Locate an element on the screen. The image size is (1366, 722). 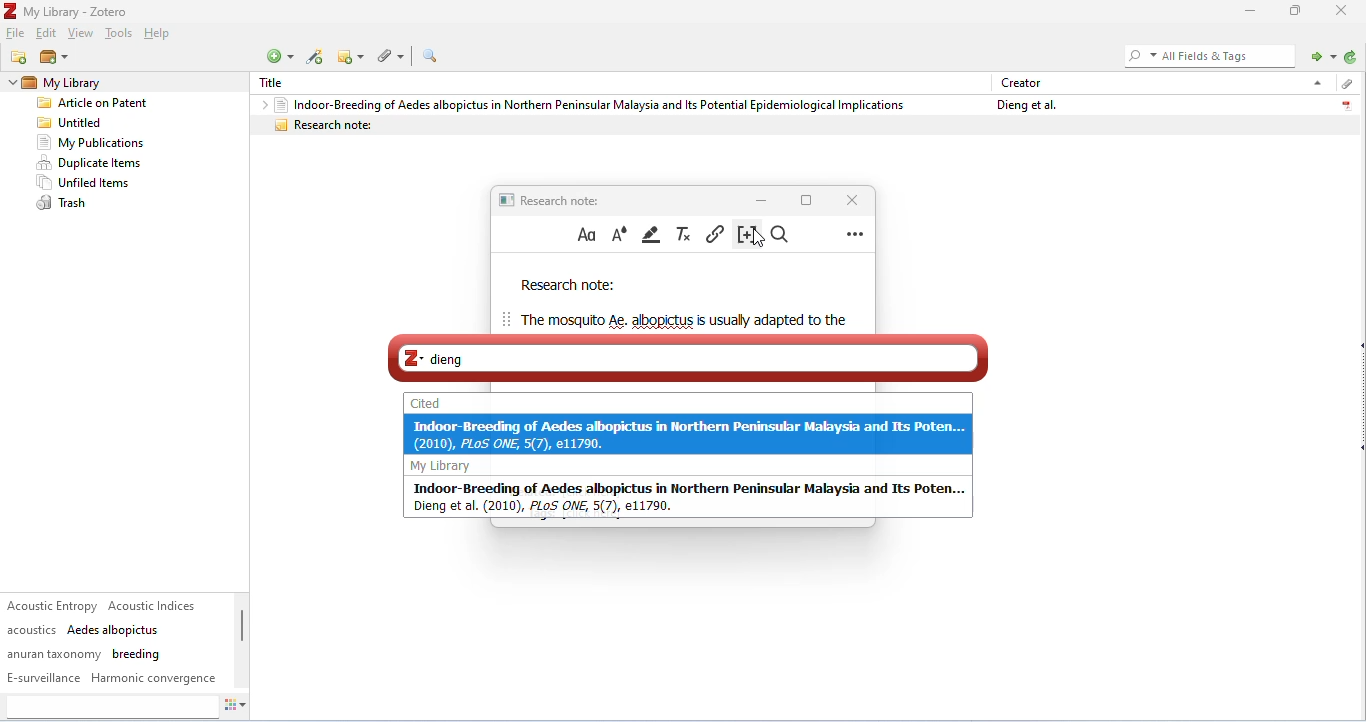
research note is located at coordinates (804, 125).